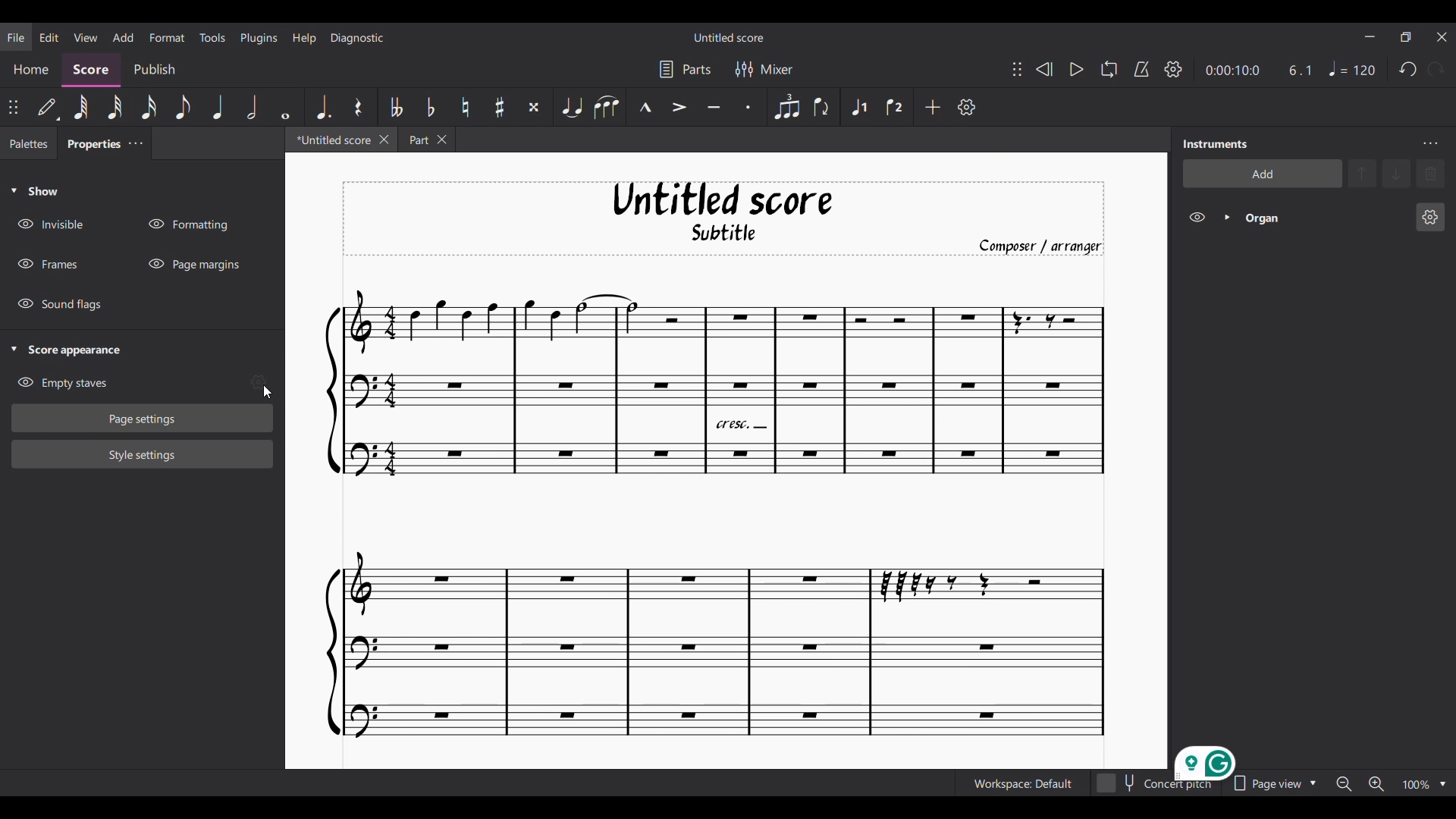 The width and height of the screenshot is (1456, 819). I want to click on properties, so click(88, 147).